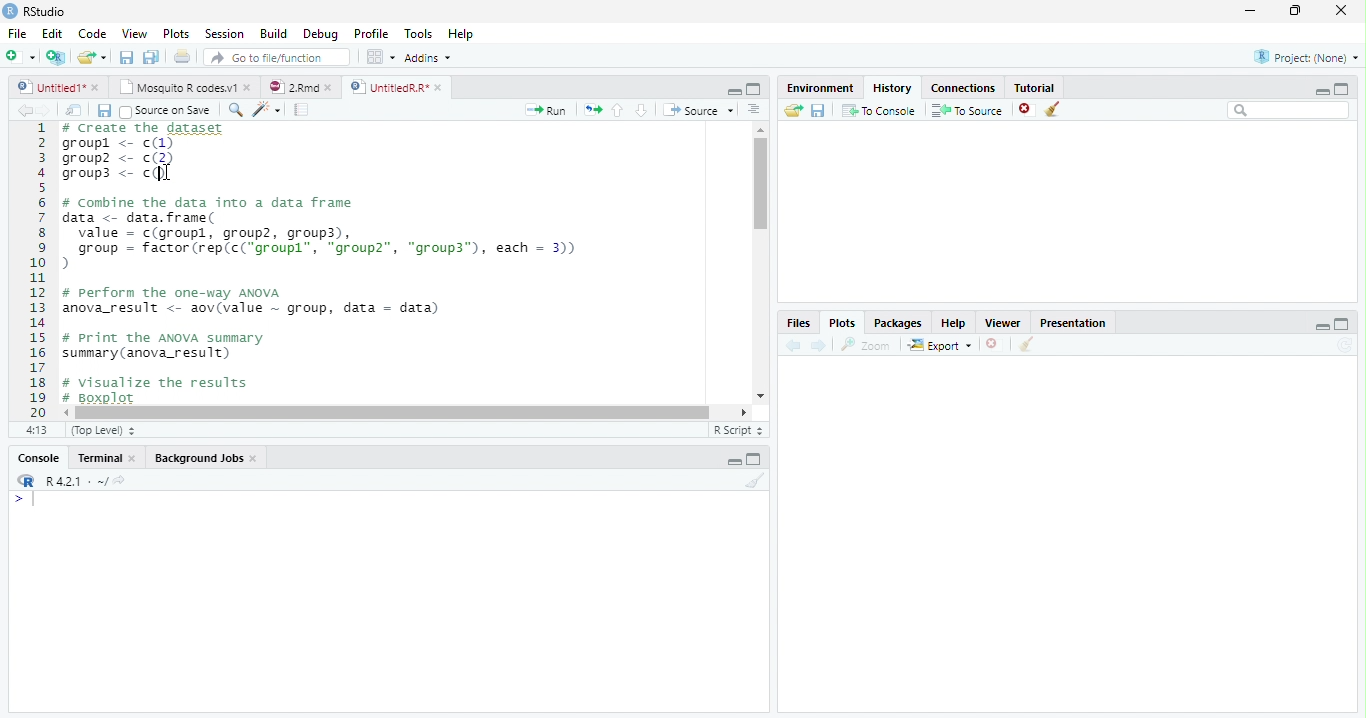 The image size is (1366, 718). What do you see at coordinates (1081, 321) in the screenshot?
I see `Presentation` at bounding box center [1081, 321].